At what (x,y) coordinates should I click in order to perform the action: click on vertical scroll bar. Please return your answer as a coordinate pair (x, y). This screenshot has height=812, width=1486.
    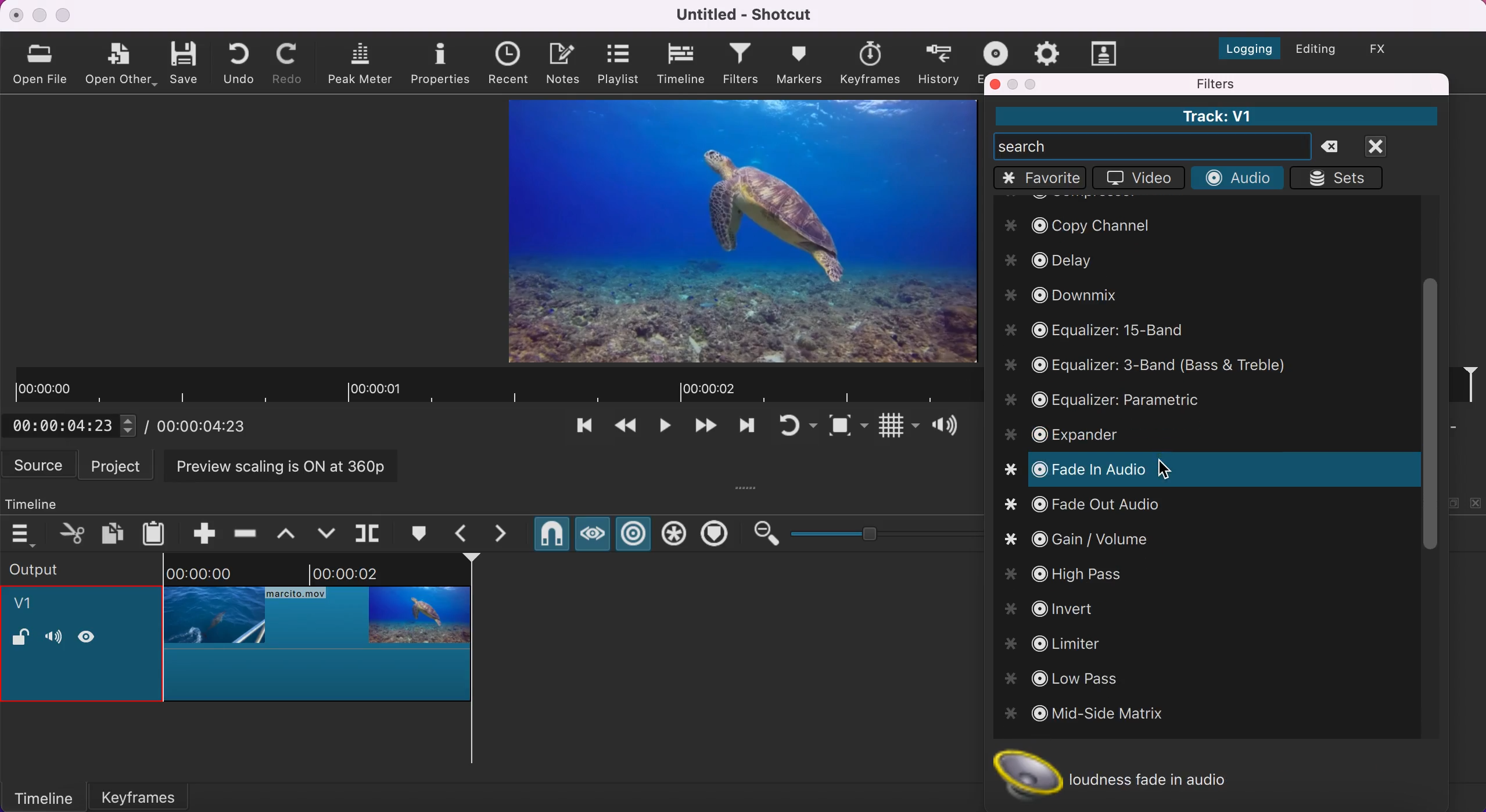
    Looking at the image, I should click on (1434, 412).